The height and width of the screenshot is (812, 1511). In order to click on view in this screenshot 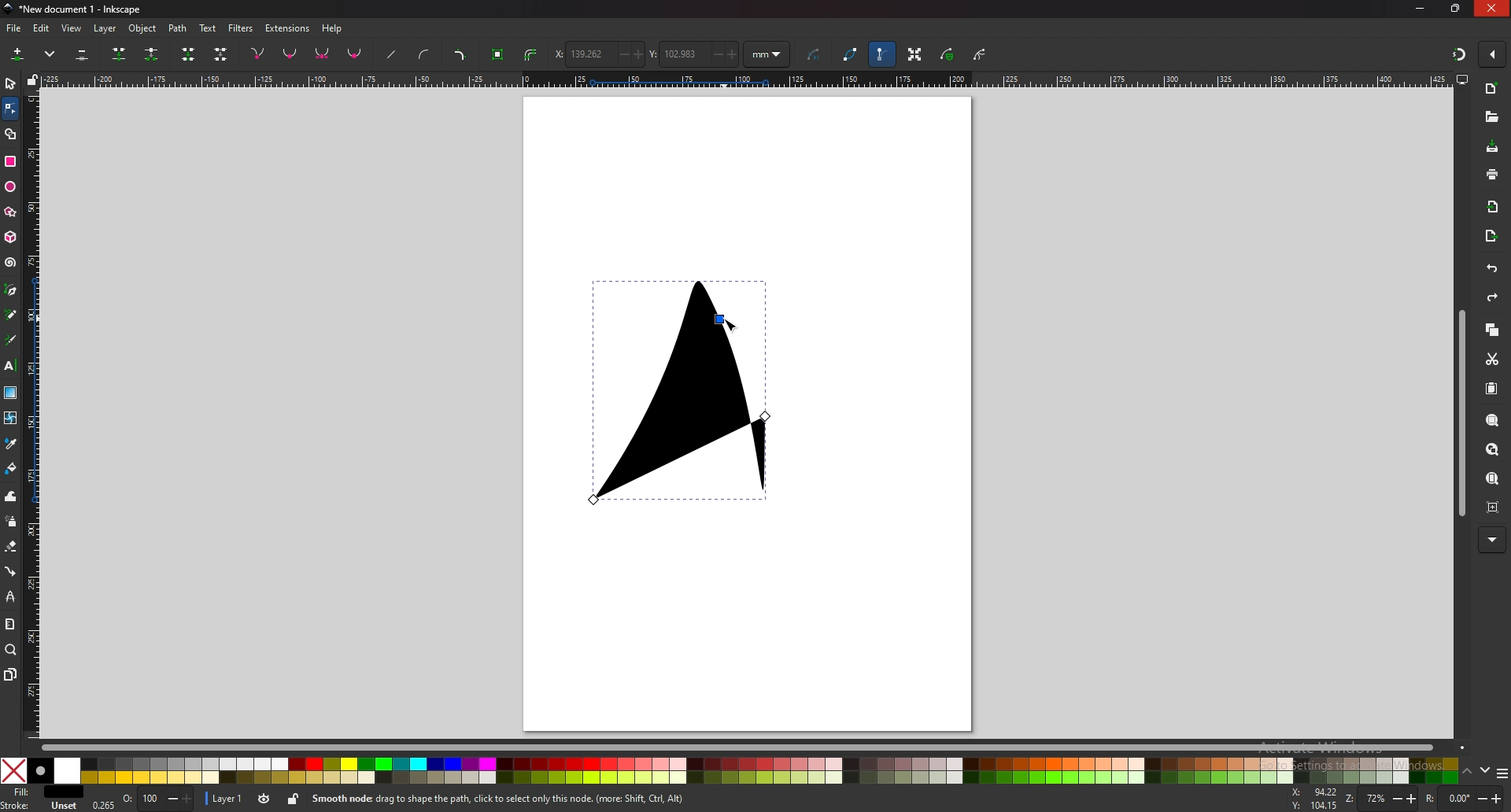, I will do `click(72, 29)`.